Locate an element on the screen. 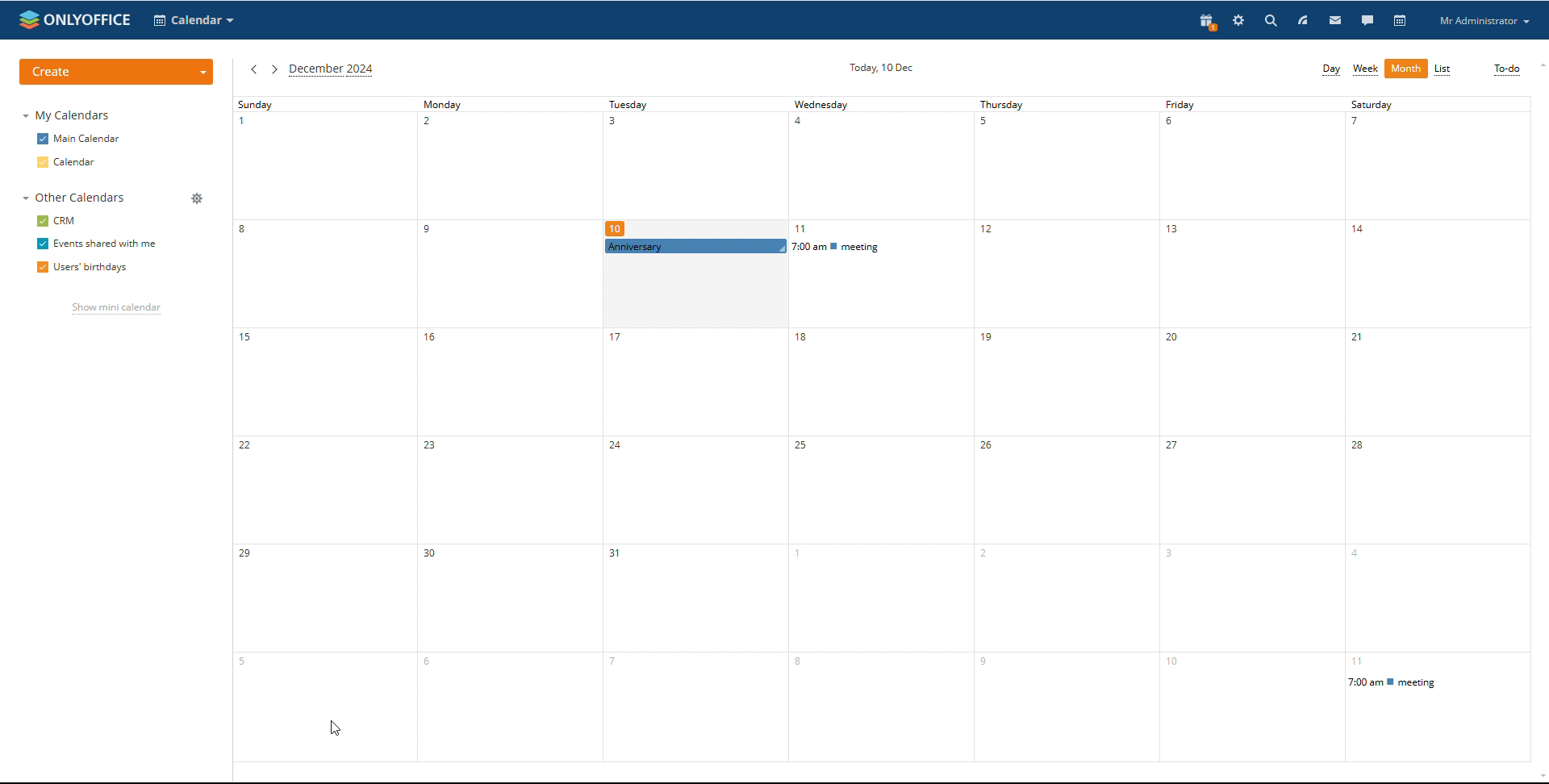  select application is located at coordinates (194, 21).